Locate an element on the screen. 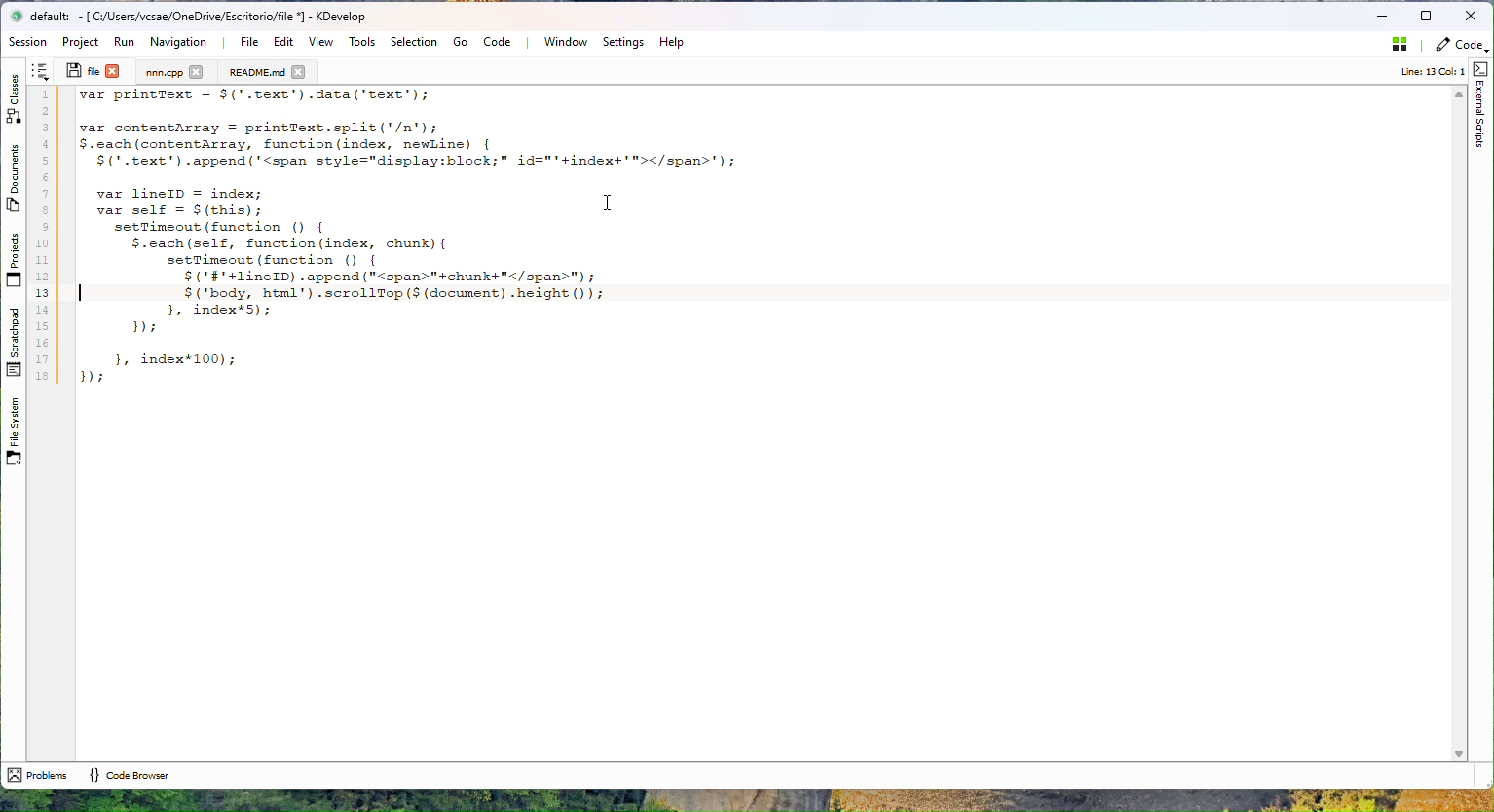  close is located at coordinates (300, 72).